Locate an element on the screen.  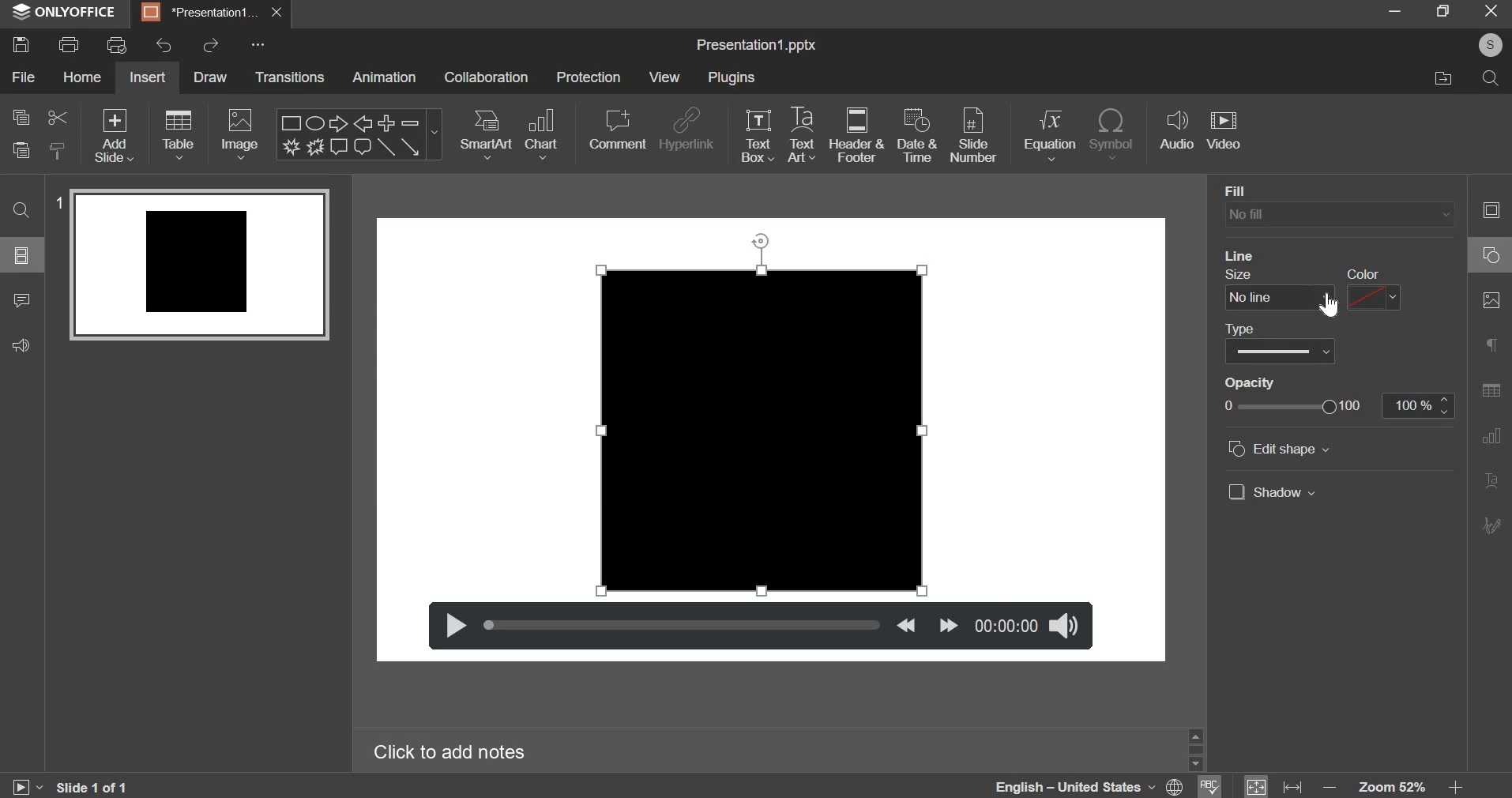
text art is located at coordinates (802, 137).